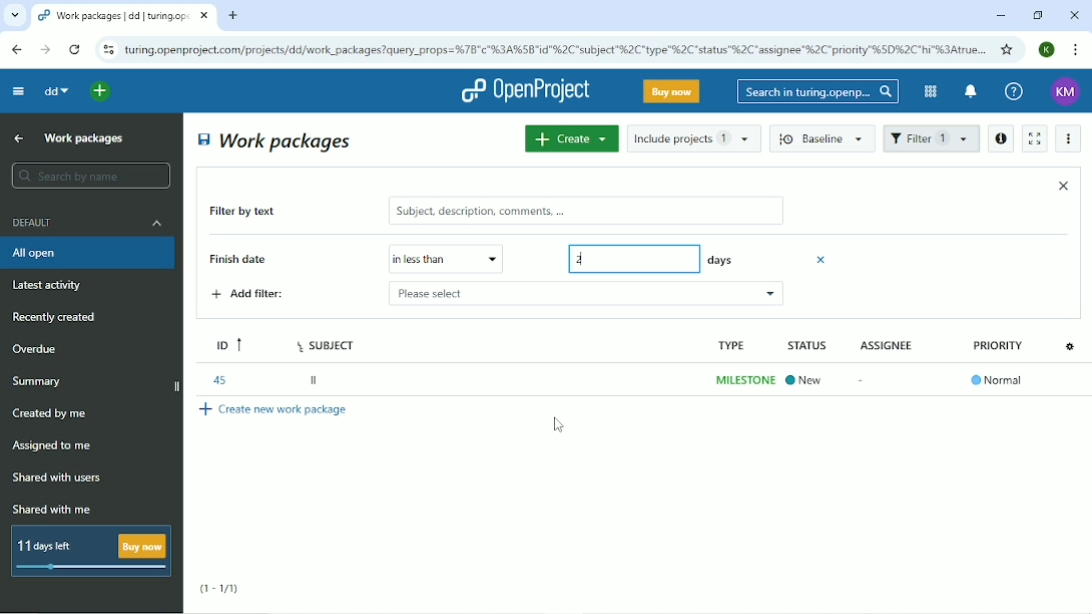  Describe the element at coordinates (43, 50) in the screenshot. I see `Forward` at that location.